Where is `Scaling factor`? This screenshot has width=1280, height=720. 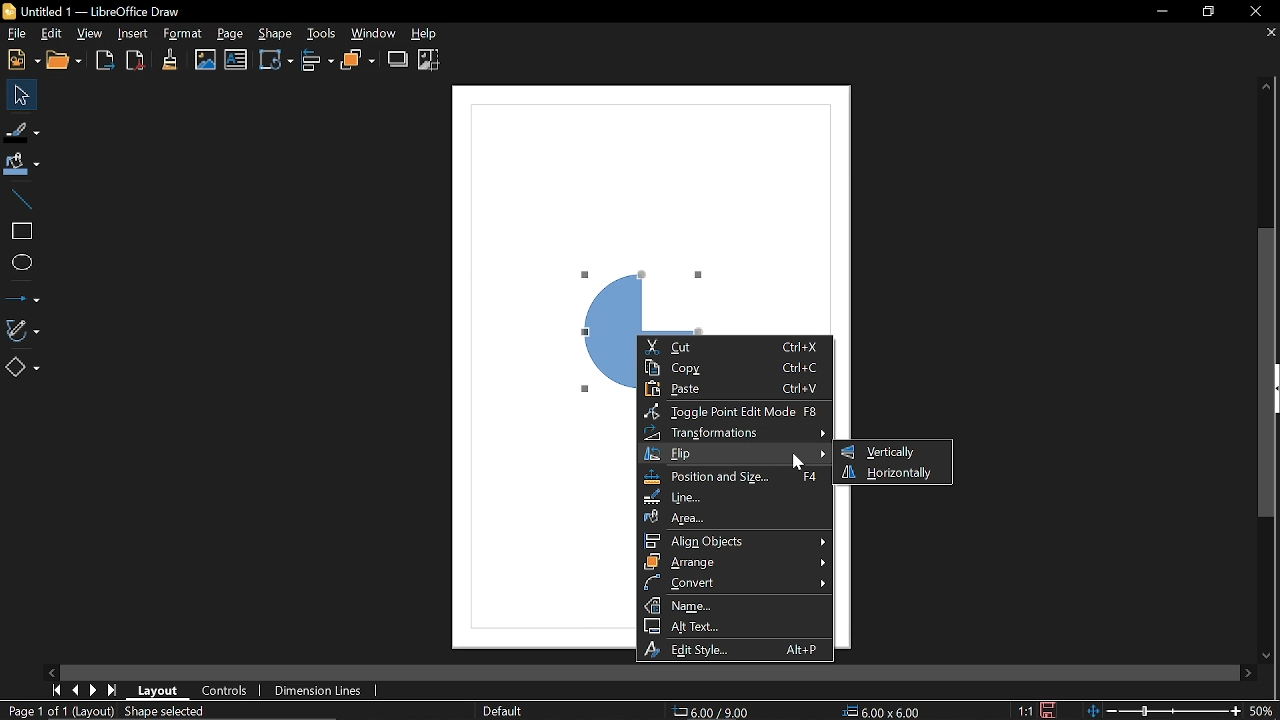 Scaling factor is located at coordinates (1026, 711).